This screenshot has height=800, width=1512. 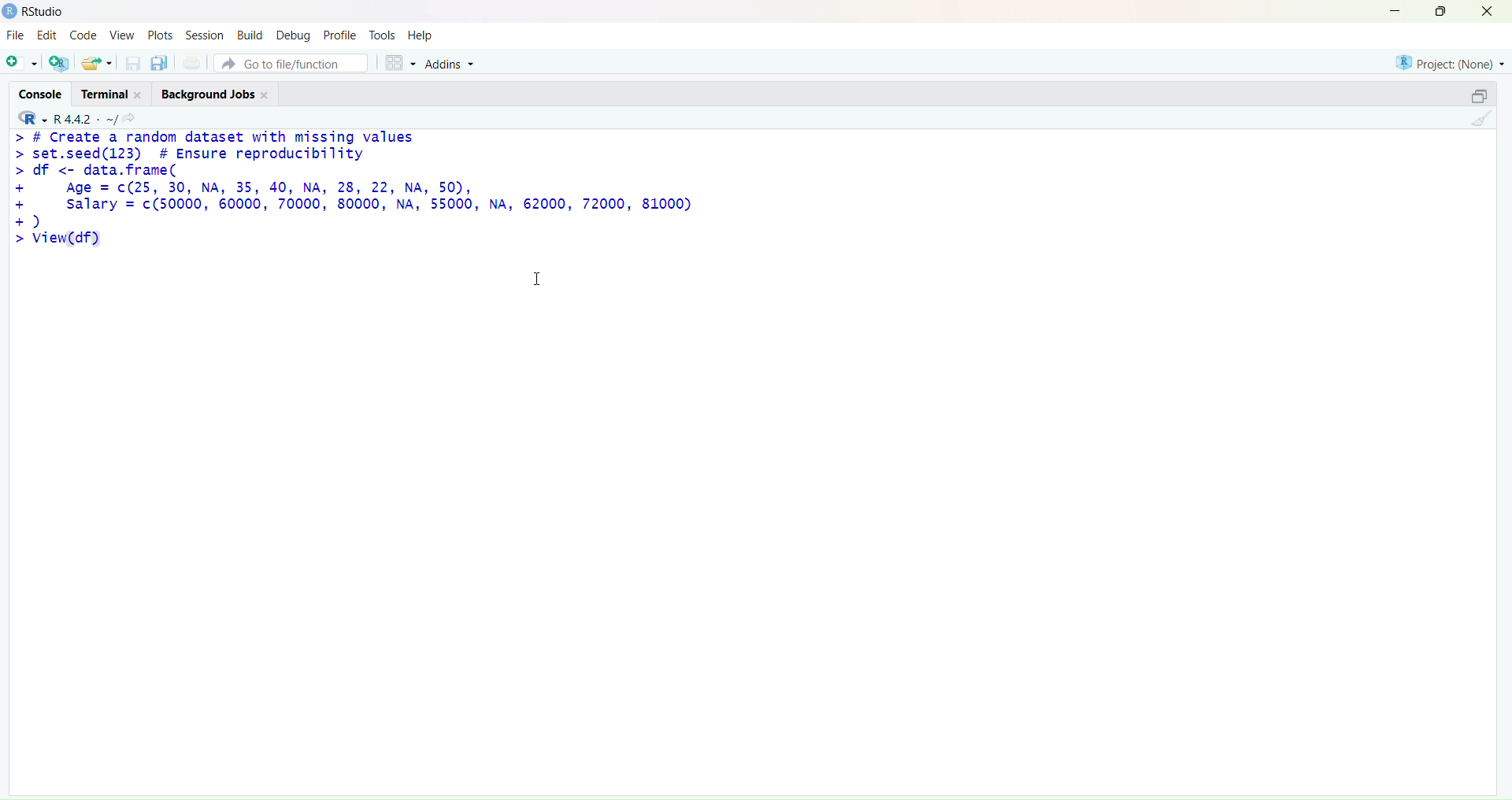 I want to click on R 4.4.2, so click(x=65, y=117).